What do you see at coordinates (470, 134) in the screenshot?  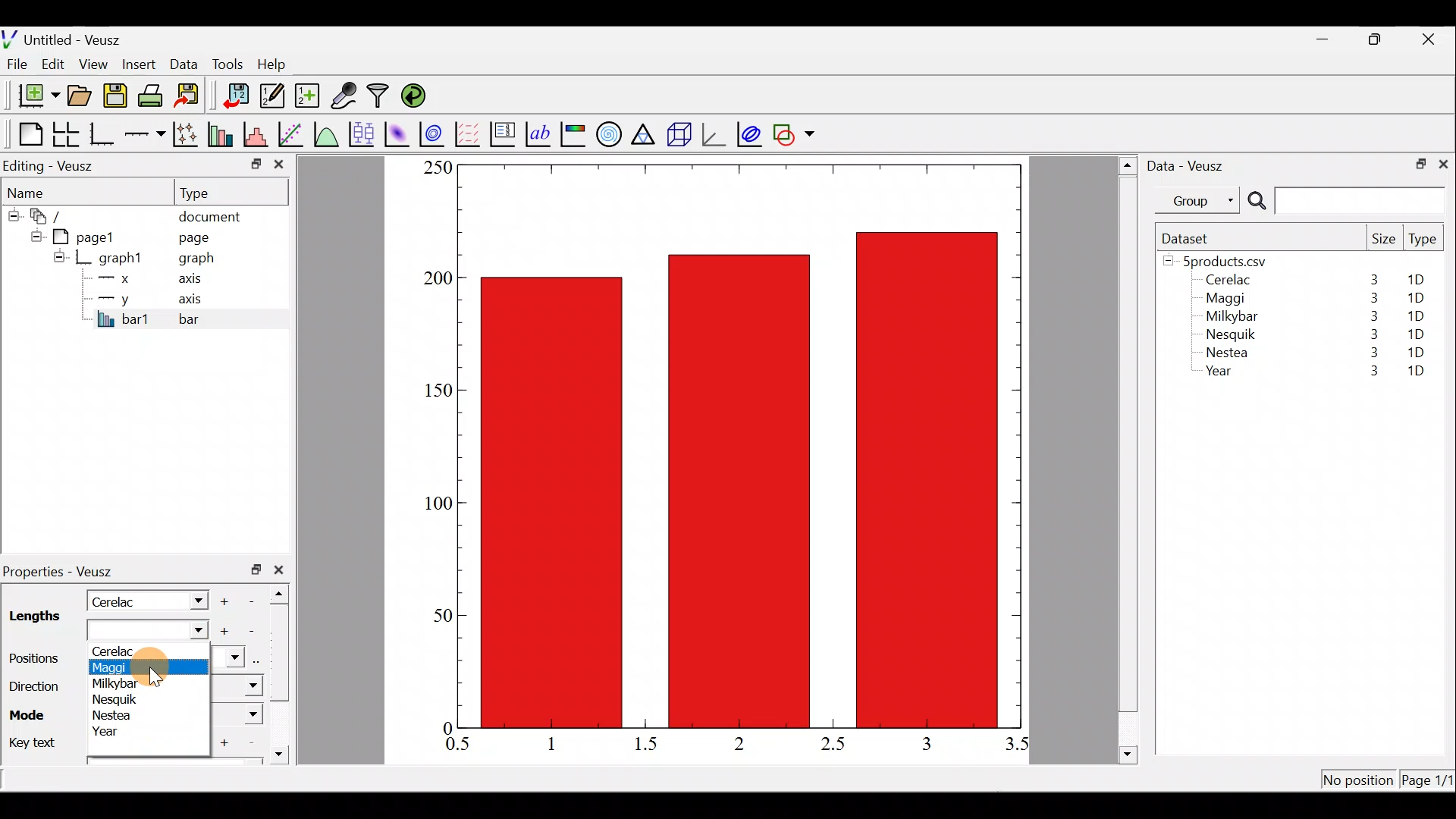 I see `Plot a vector field` at bounding box center [470, 134].